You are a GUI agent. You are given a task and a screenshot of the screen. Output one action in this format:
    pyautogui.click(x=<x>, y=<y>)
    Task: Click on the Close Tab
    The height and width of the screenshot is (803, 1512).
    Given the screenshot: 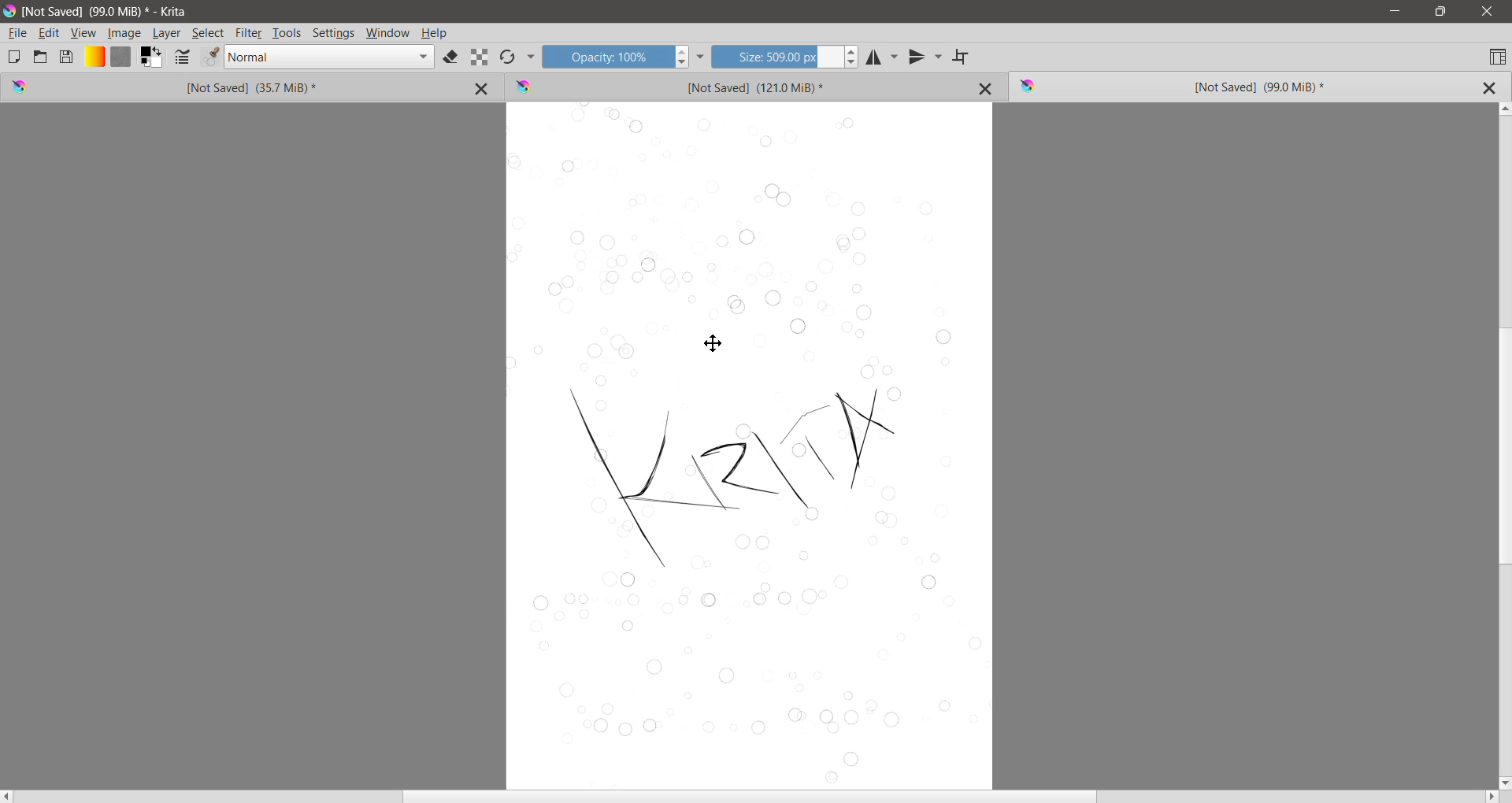 What is the action you would take?
    pyautogui.click(x=484, y=87)
    